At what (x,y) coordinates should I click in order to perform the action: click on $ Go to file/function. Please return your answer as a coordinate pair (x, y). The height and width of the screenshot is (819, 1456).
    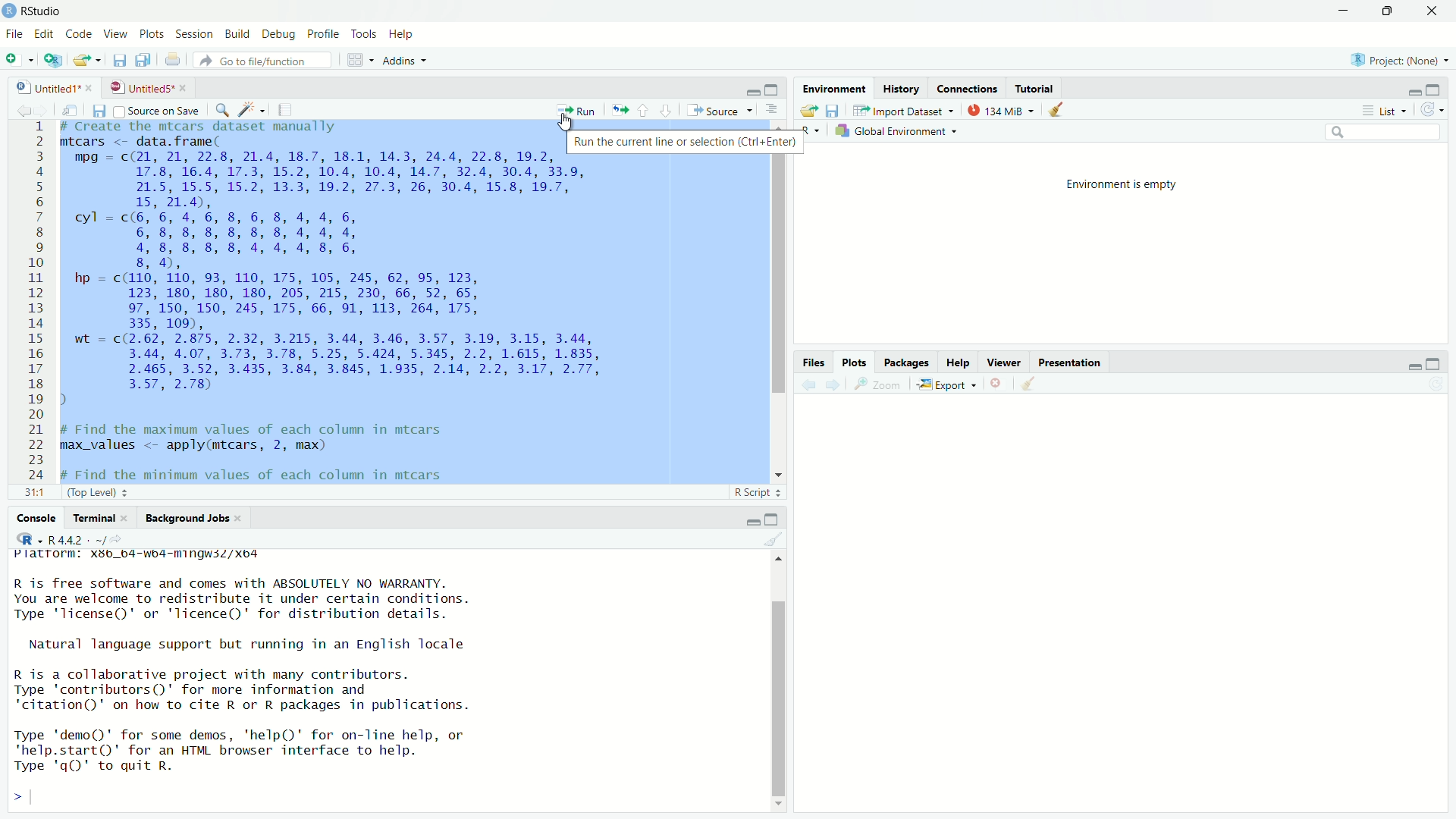
    Looking at the image, I should click on (257, 61).